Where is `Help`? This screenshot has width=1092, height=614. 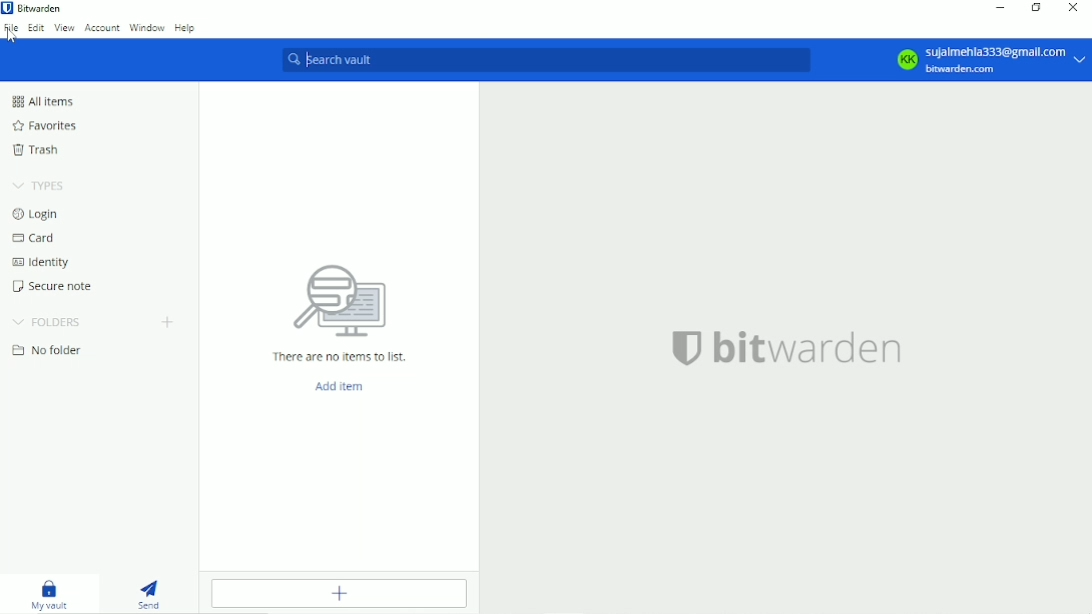
Help is located at coordinates (185, 28).